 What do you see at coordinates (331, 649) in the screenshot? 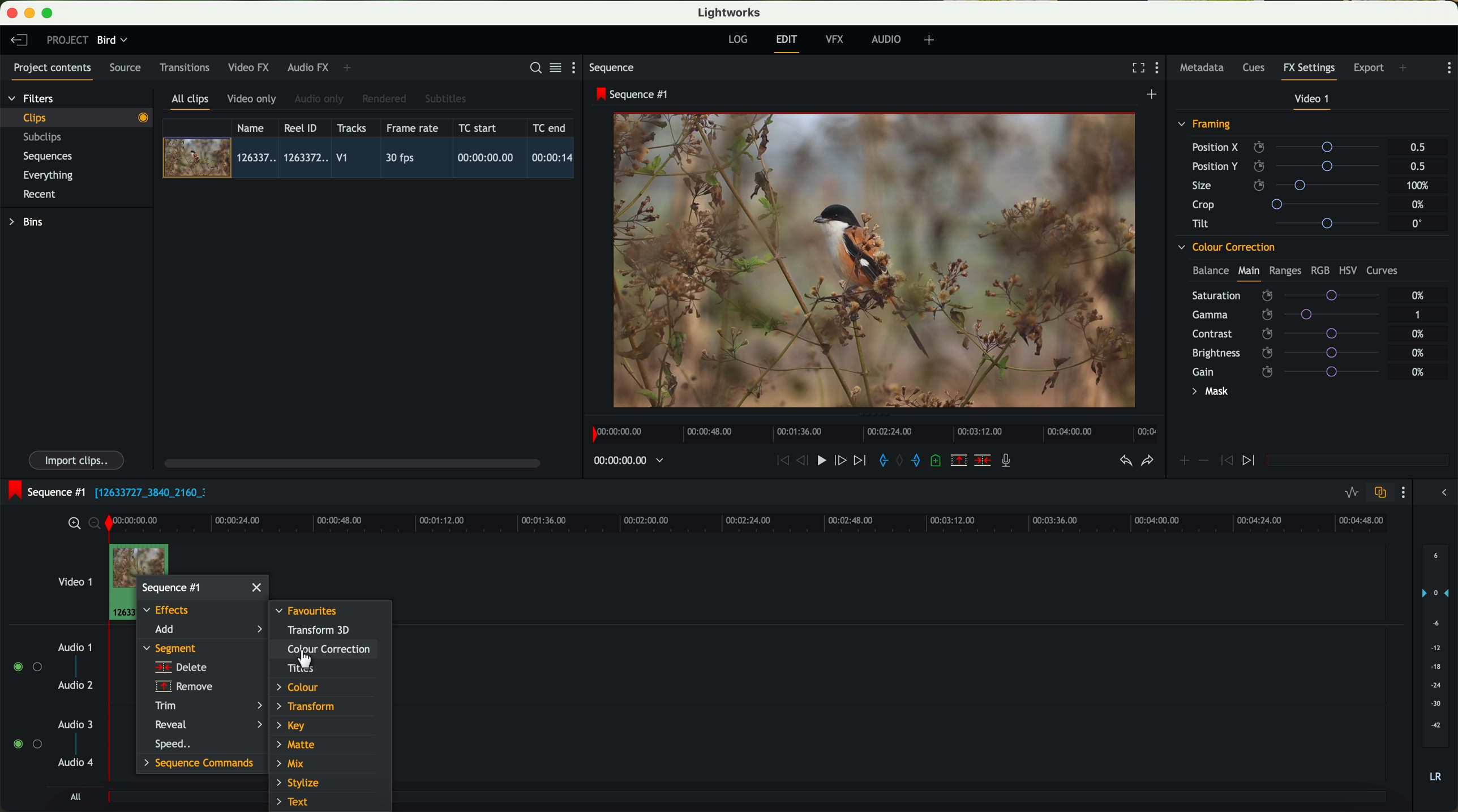
I see `click on colour correction` at bounding box center [331, 649].